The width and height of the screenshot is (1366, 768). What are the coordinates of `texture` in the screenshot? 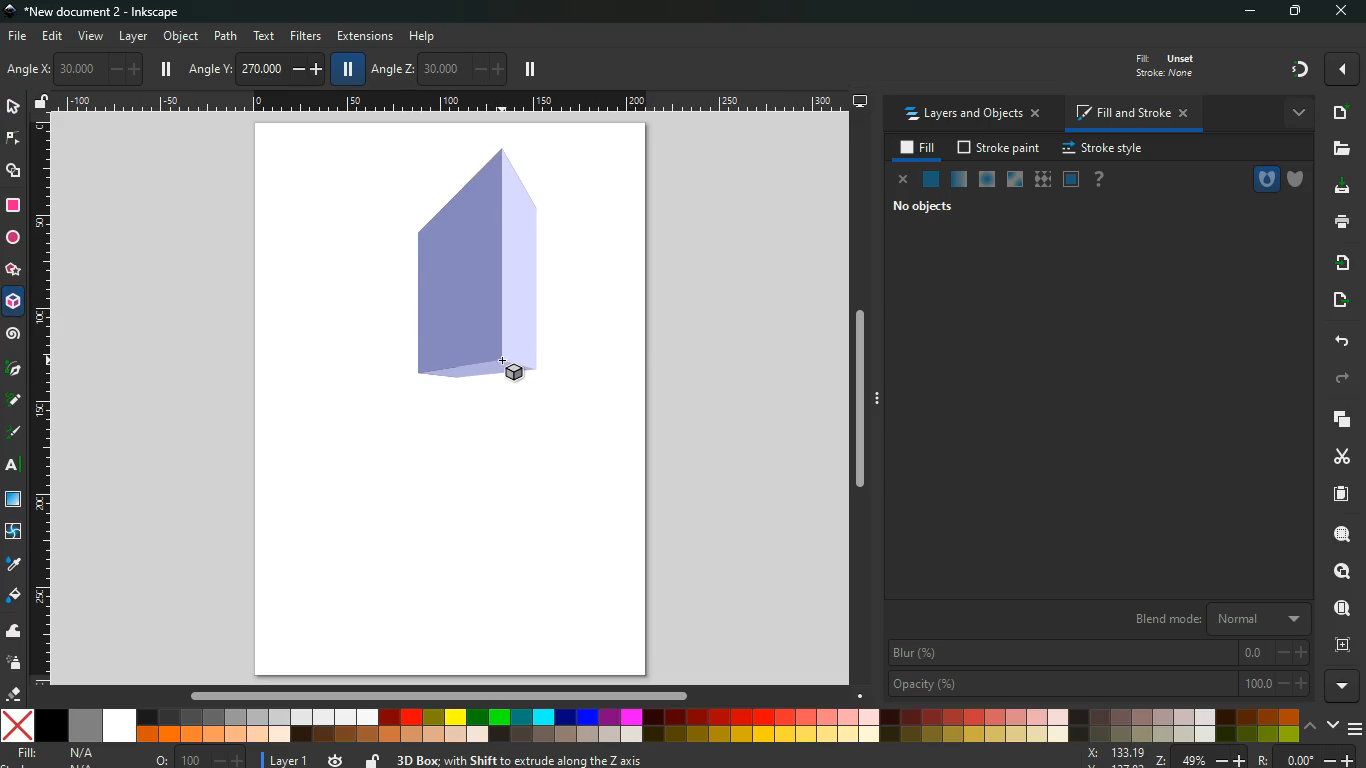 It's located at (1042, 182).